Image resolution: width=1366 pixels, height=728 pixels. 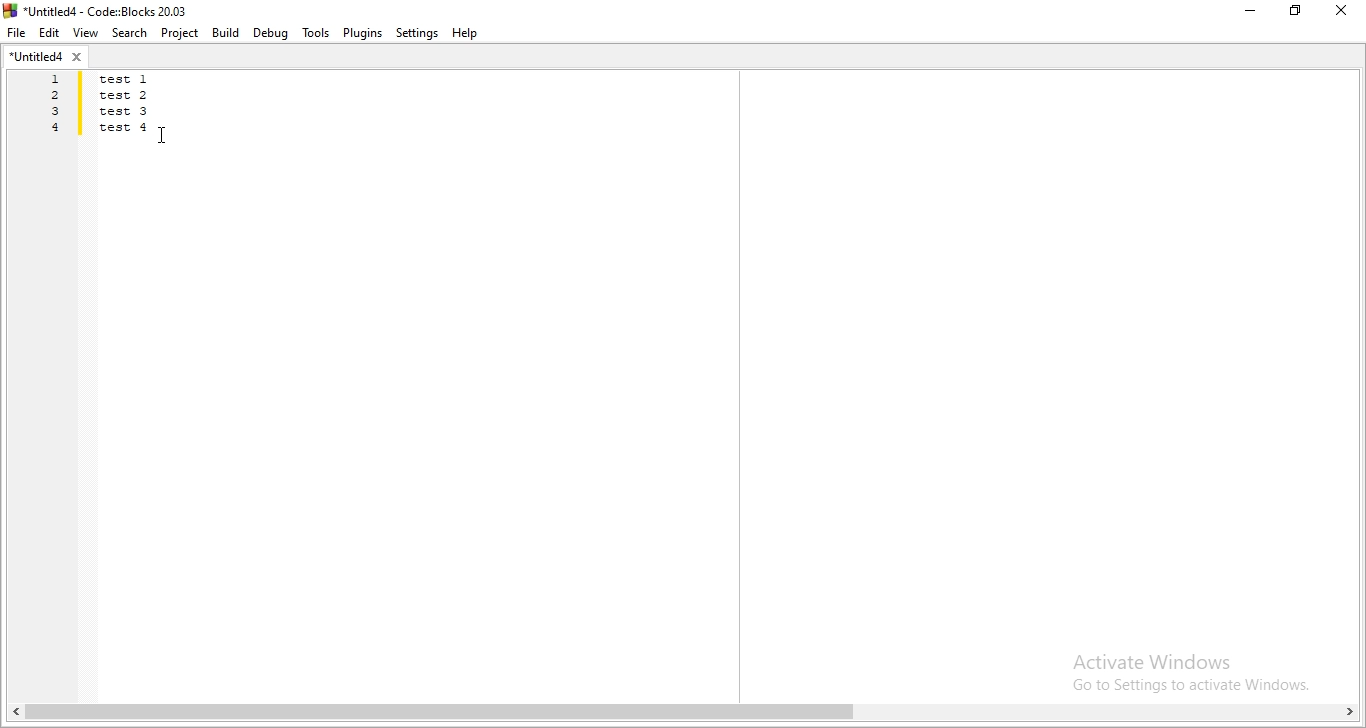 What do you see at coordinates (178, 34) in the screenshot?
I see `Project ` at bounding box center [178, 34].